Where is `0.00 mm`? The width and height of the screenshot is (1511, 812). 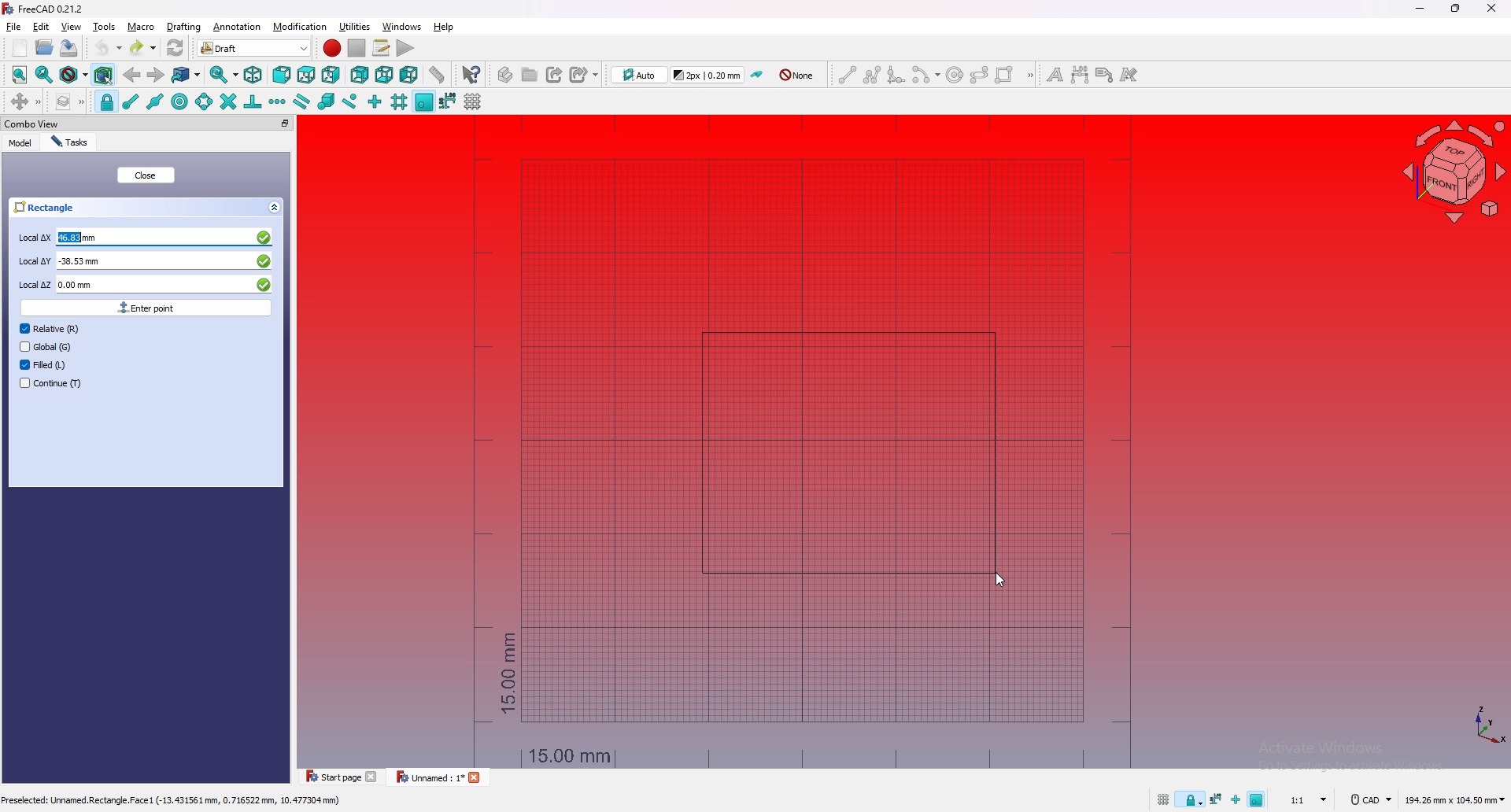 0.00 mm is located at coordinates (164, 283).